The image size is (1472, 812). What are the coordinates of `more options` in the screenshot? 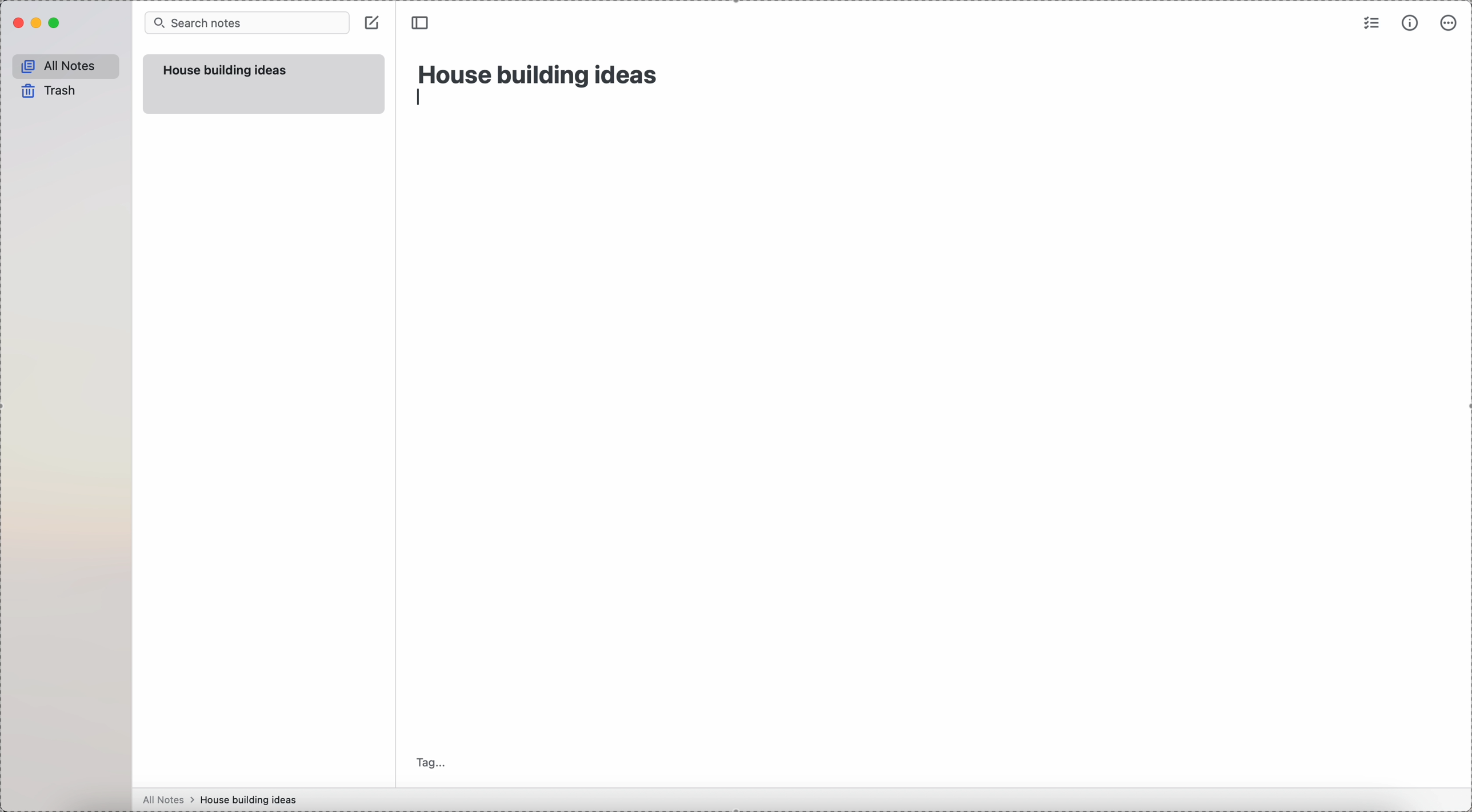 It's located at (1450, 23).